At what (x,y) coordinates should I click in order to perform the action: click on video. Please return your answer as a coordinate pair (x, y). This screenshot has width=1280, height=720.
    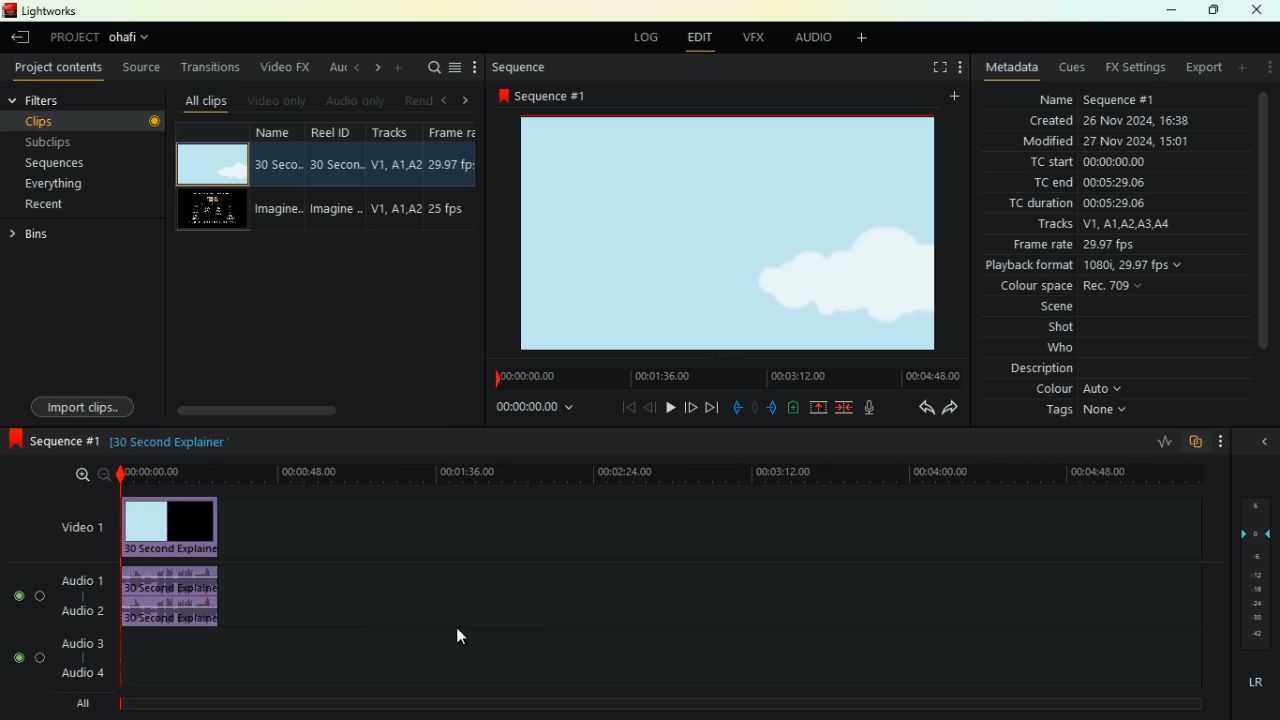
    Looking at the image, I should click on (171, 525).